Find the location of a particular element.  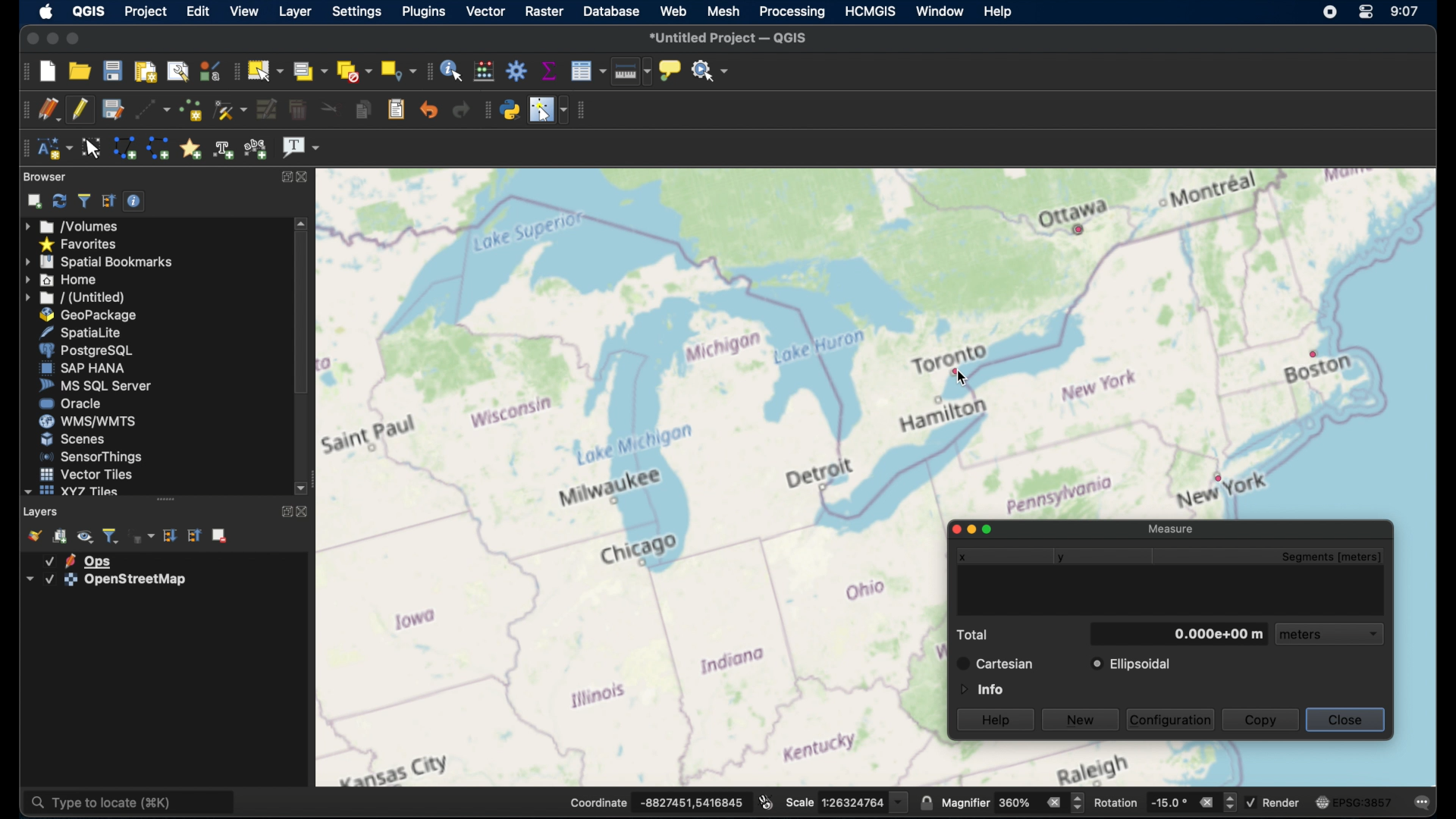

close is located at coordinates (303, 513).